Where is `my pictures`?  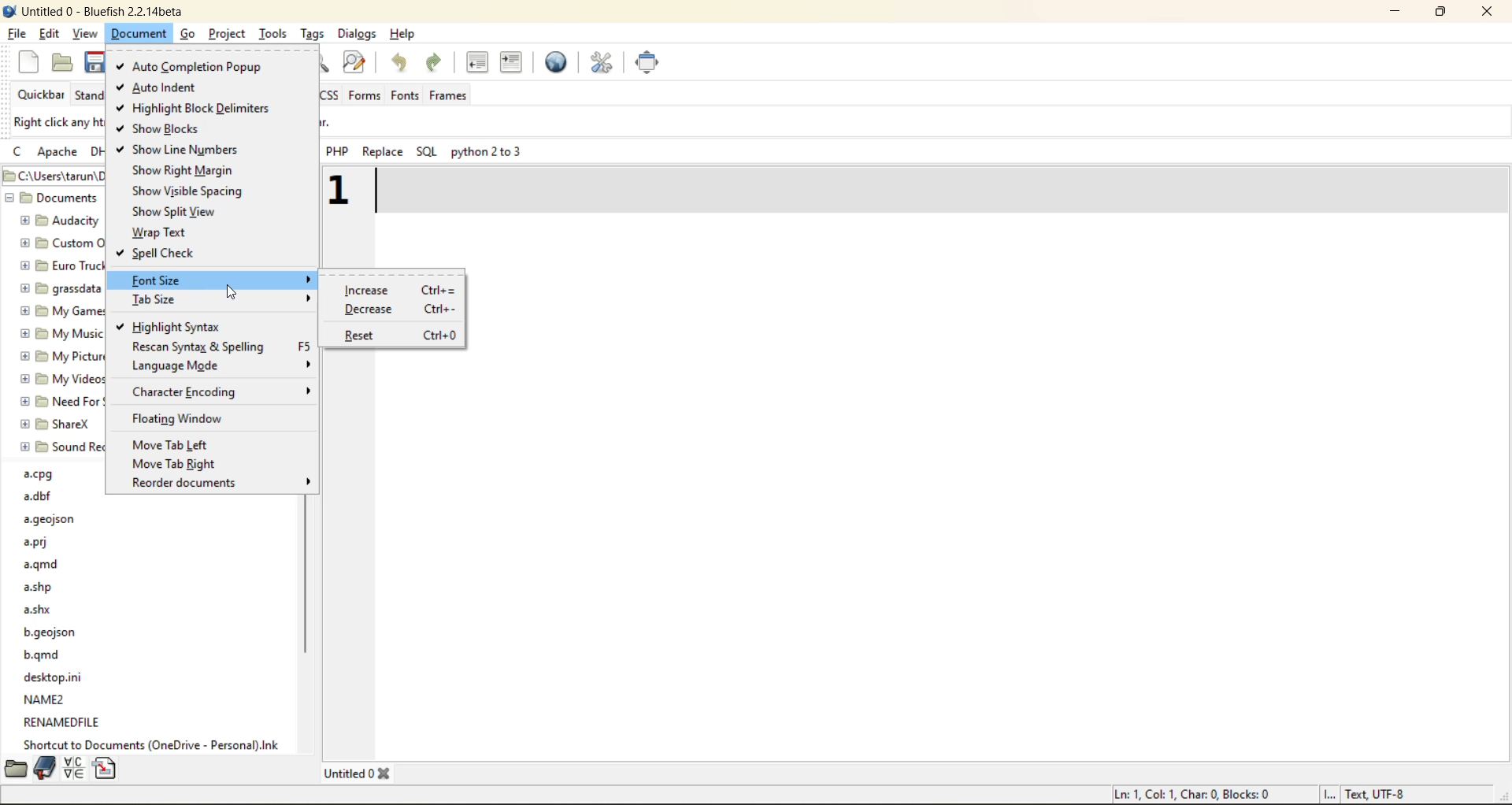 my pictures is located at coordinates (70, 358).